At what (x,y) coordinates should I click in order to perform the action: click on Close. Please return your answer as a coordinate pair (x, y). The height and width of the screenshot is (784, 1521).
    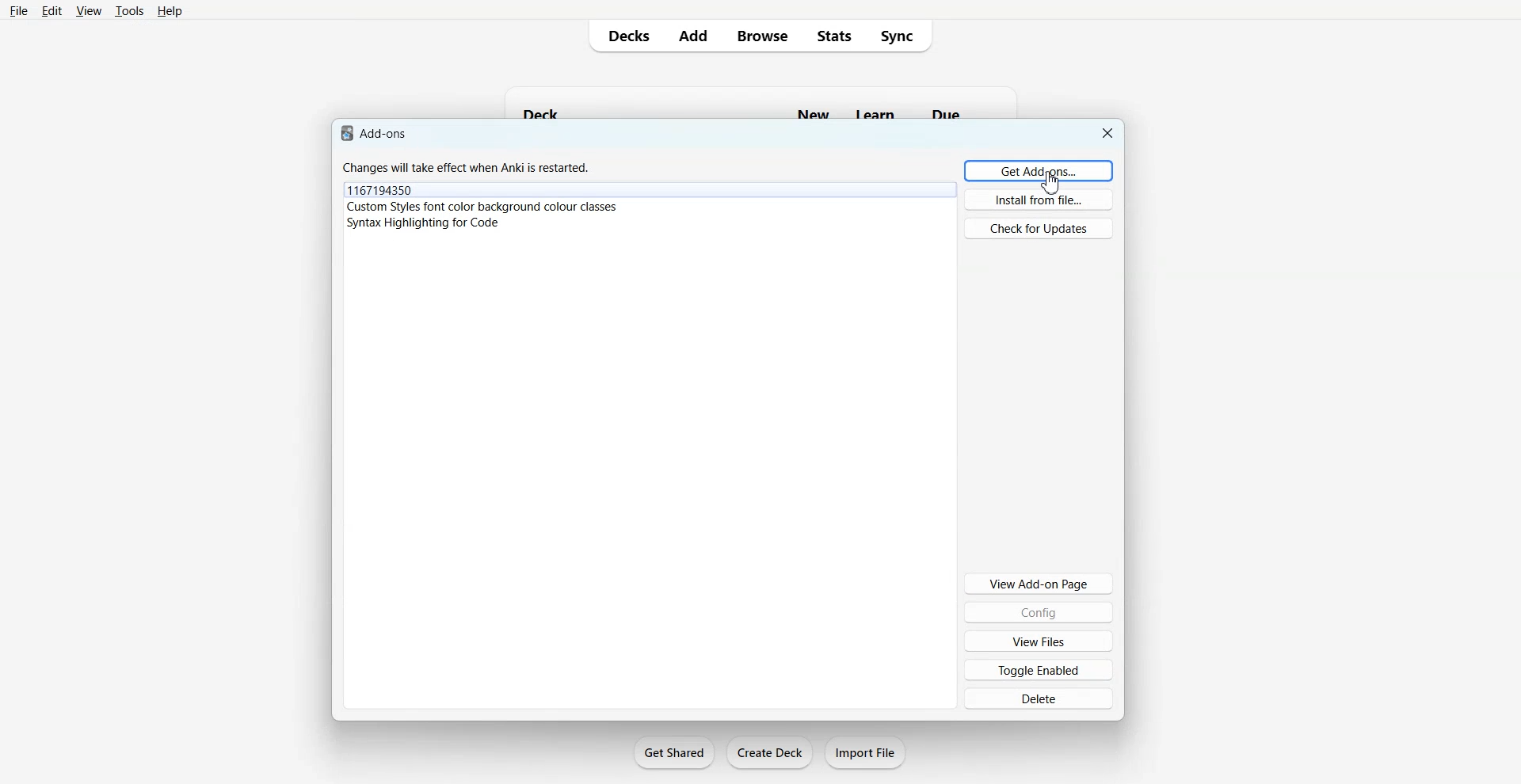
    Looking at the image, I should click on (1107, 131).